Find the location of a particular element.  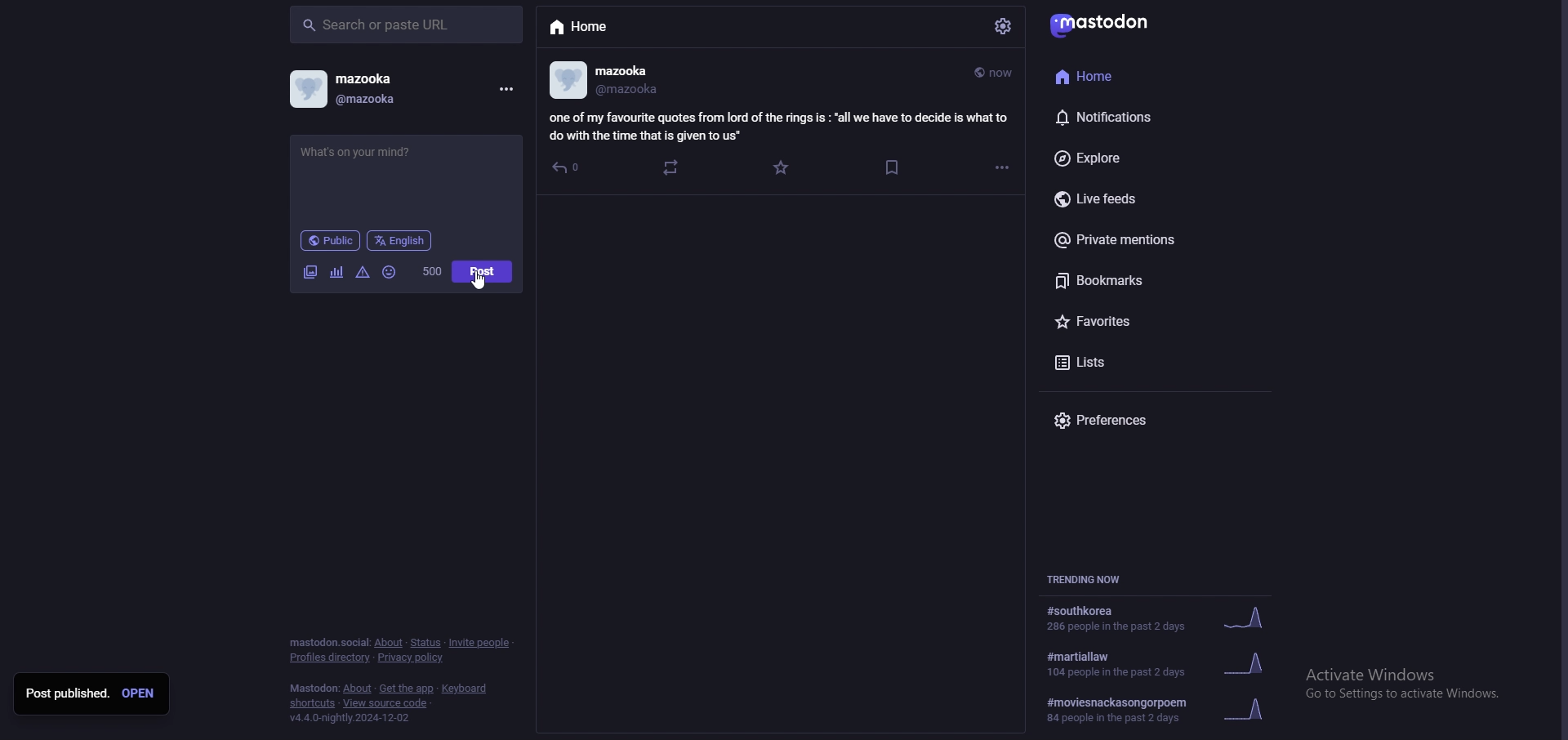

options is located at coordinates (1002, 168).